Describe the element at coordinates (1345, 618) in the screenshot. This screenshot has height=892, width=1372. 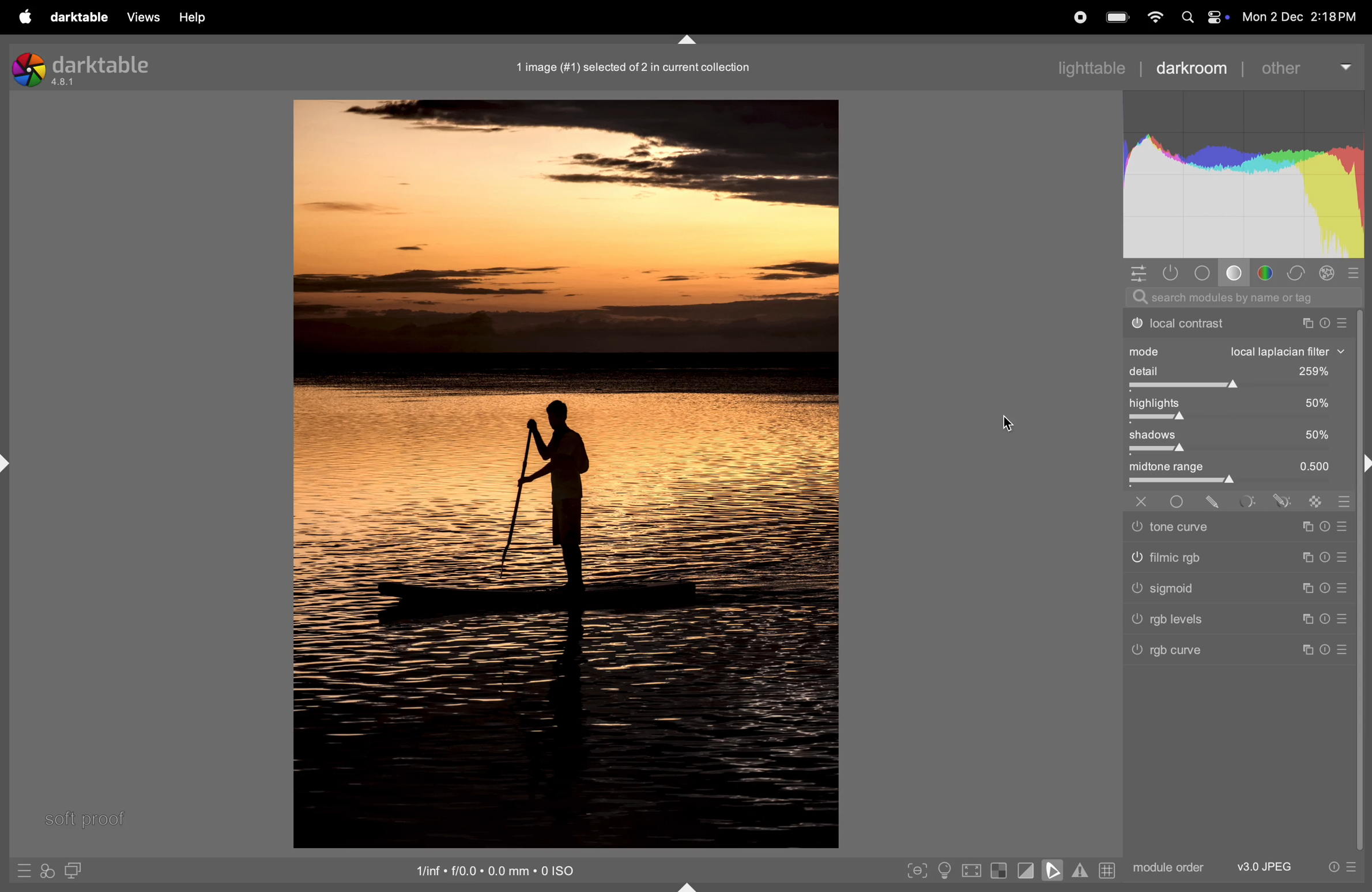
I see `sign ` at that location.